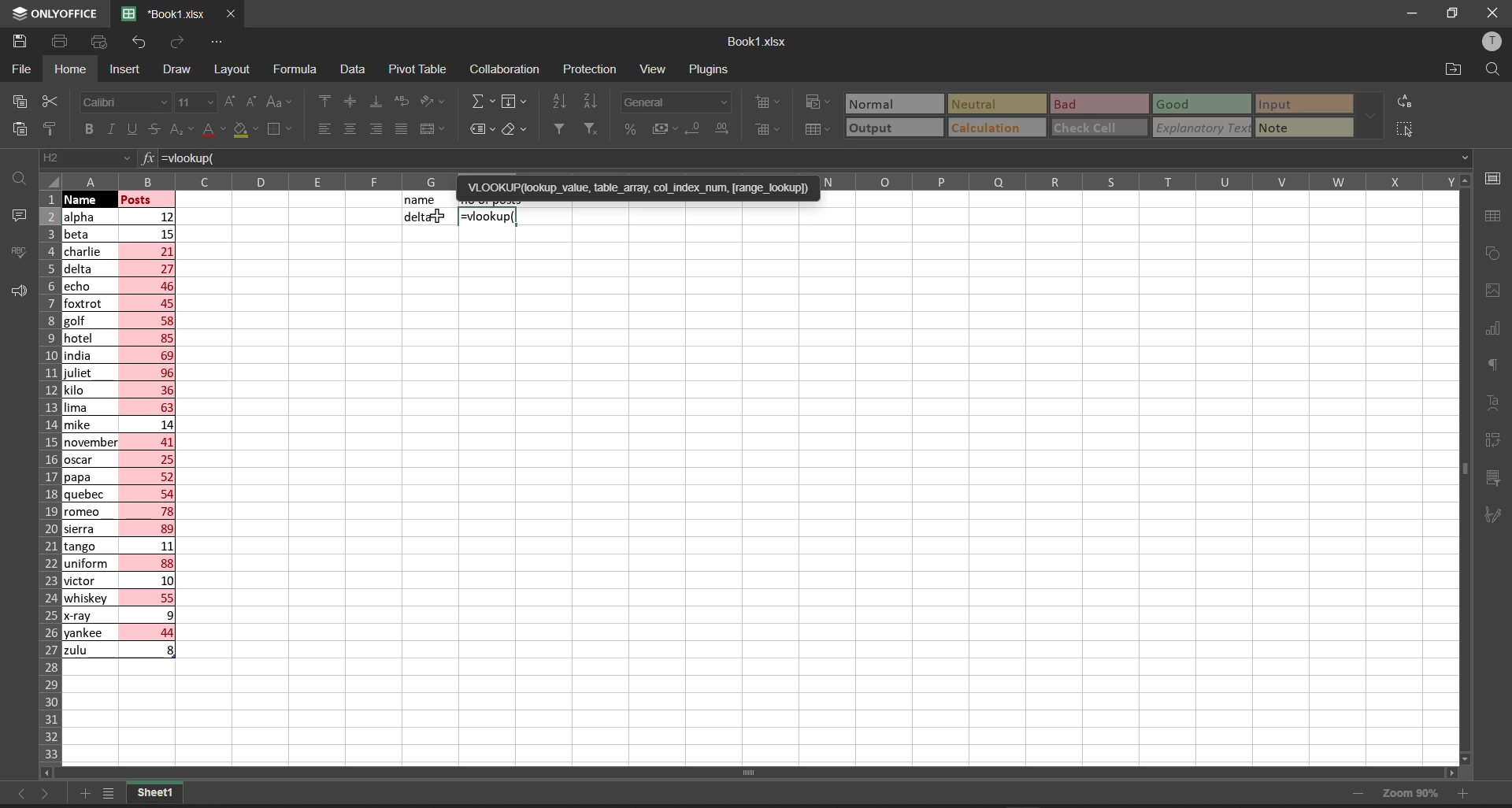 The image size is (1512, 808). What do you see at coordinates (1356, 796) in the screenshot?
I see `zoom out` at bounding box center [1356, 796].